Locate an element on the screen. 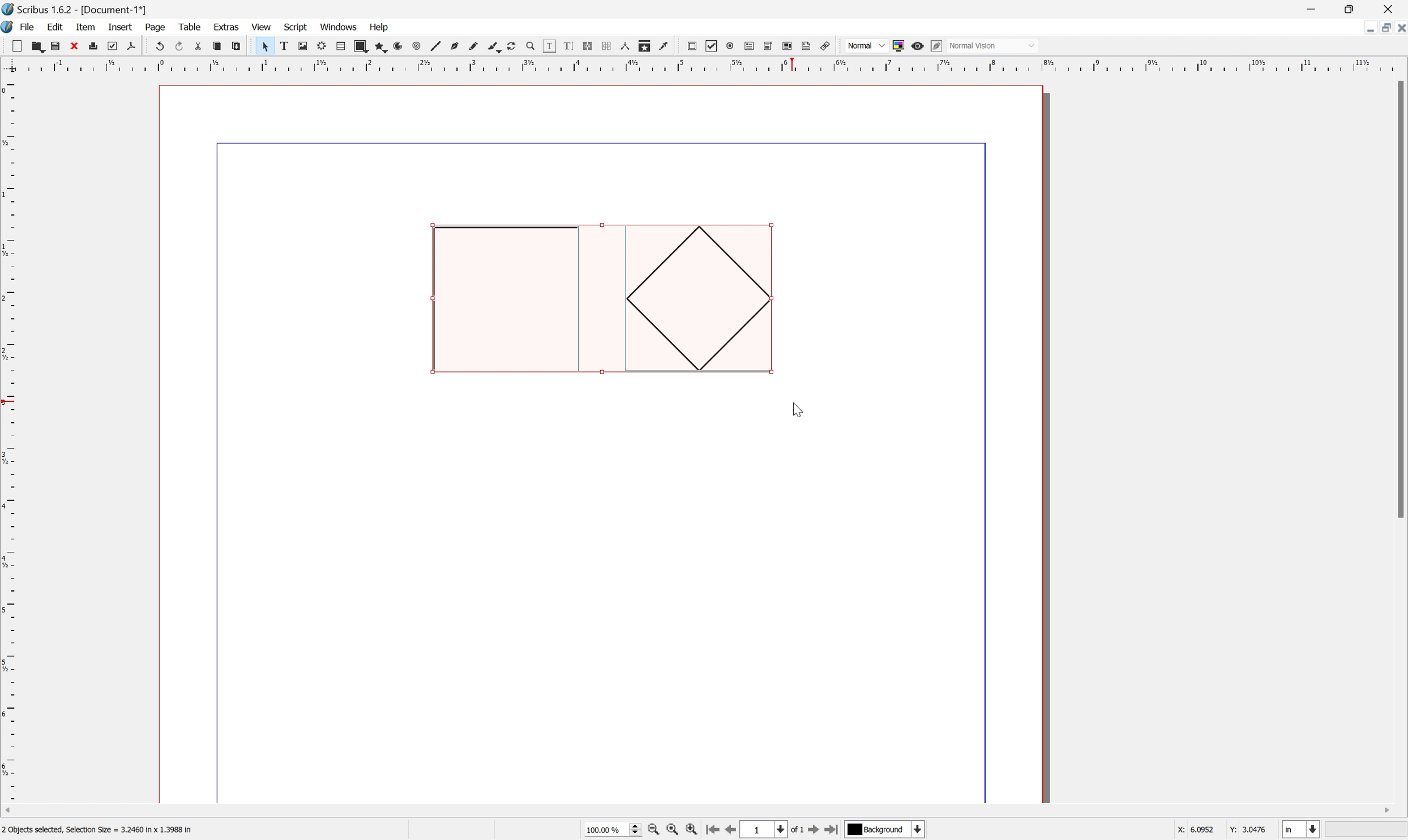 The image size is (1408, 840). freehand line is located at coordinates (471, 46).